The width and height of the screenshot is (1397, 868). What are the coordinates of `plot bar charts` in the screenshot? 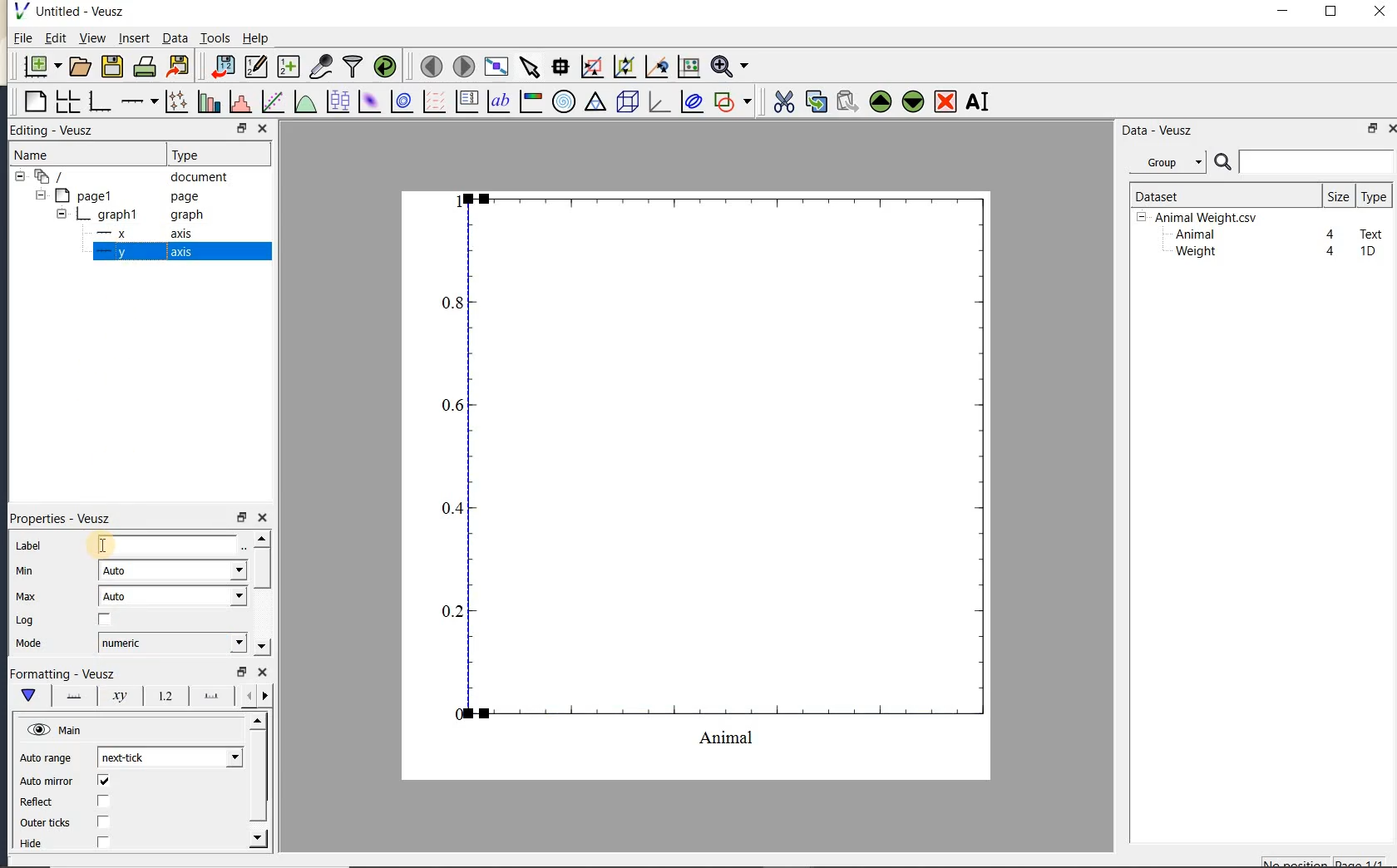 It's located at (209, 101).